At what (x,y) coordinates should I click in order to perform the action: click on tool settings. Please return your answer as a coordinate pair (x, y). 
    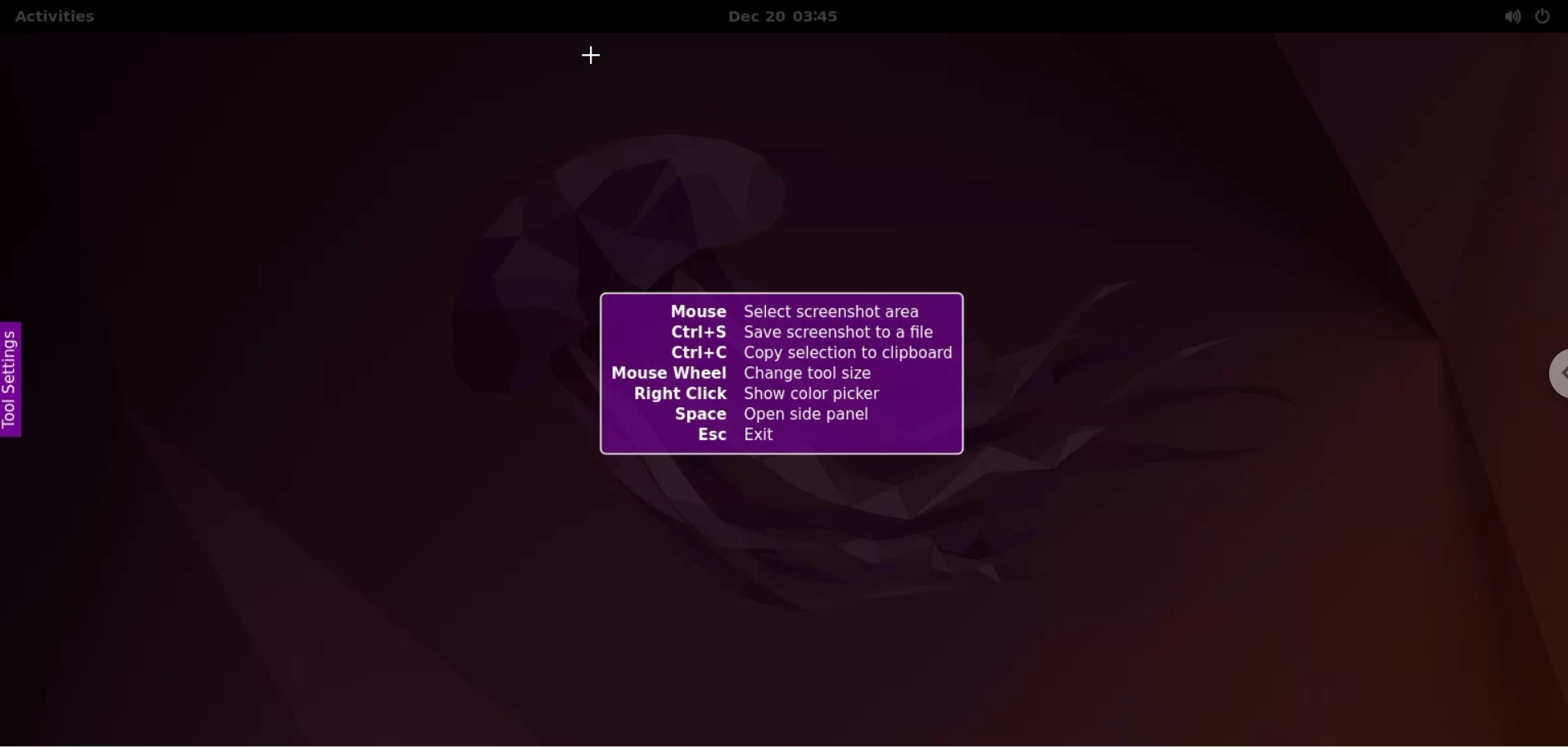
    Looking at the image, I should click on (18, 380).